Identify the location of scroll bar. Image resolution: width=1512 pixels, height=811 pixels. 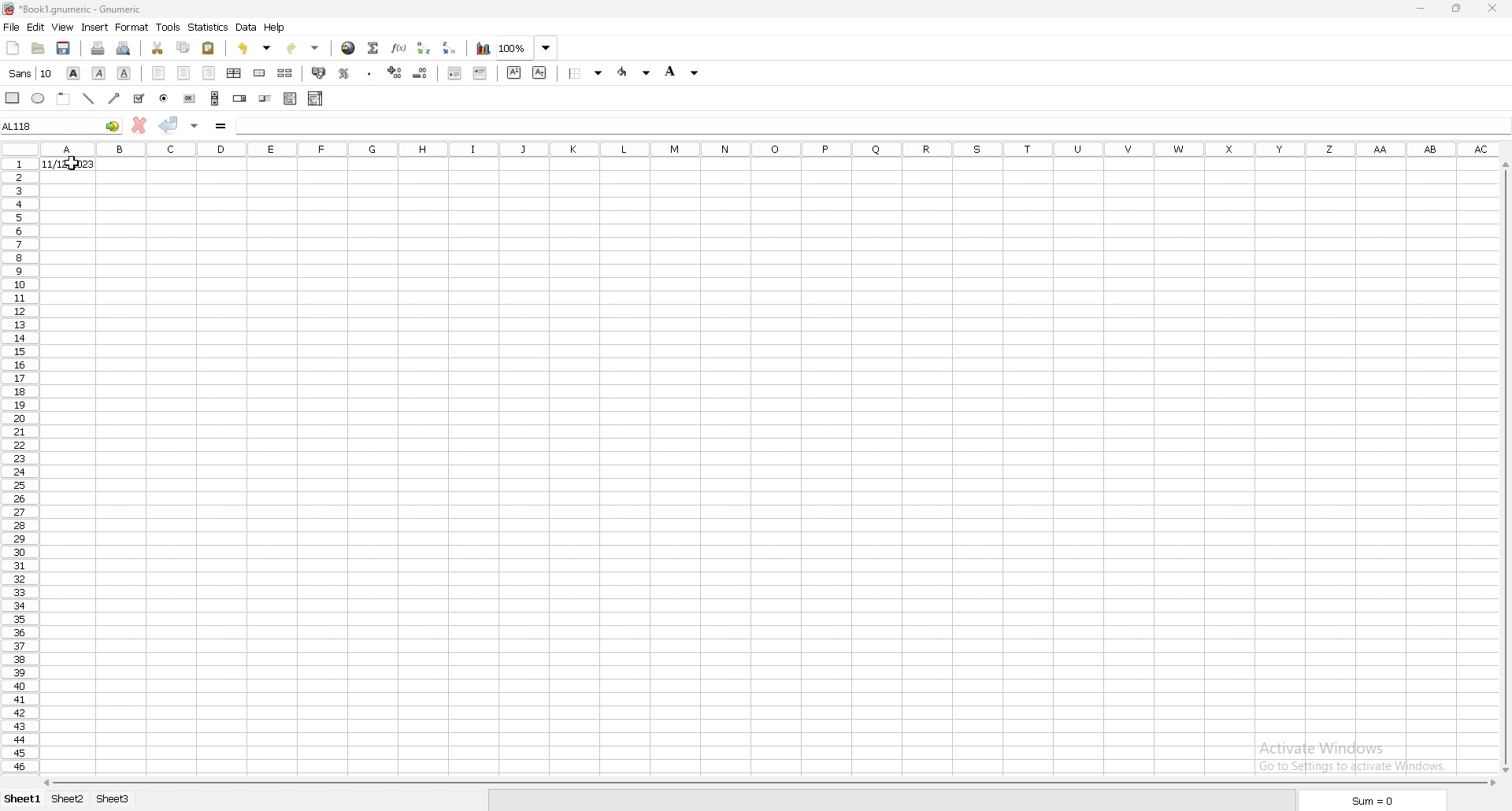
(771, 783).